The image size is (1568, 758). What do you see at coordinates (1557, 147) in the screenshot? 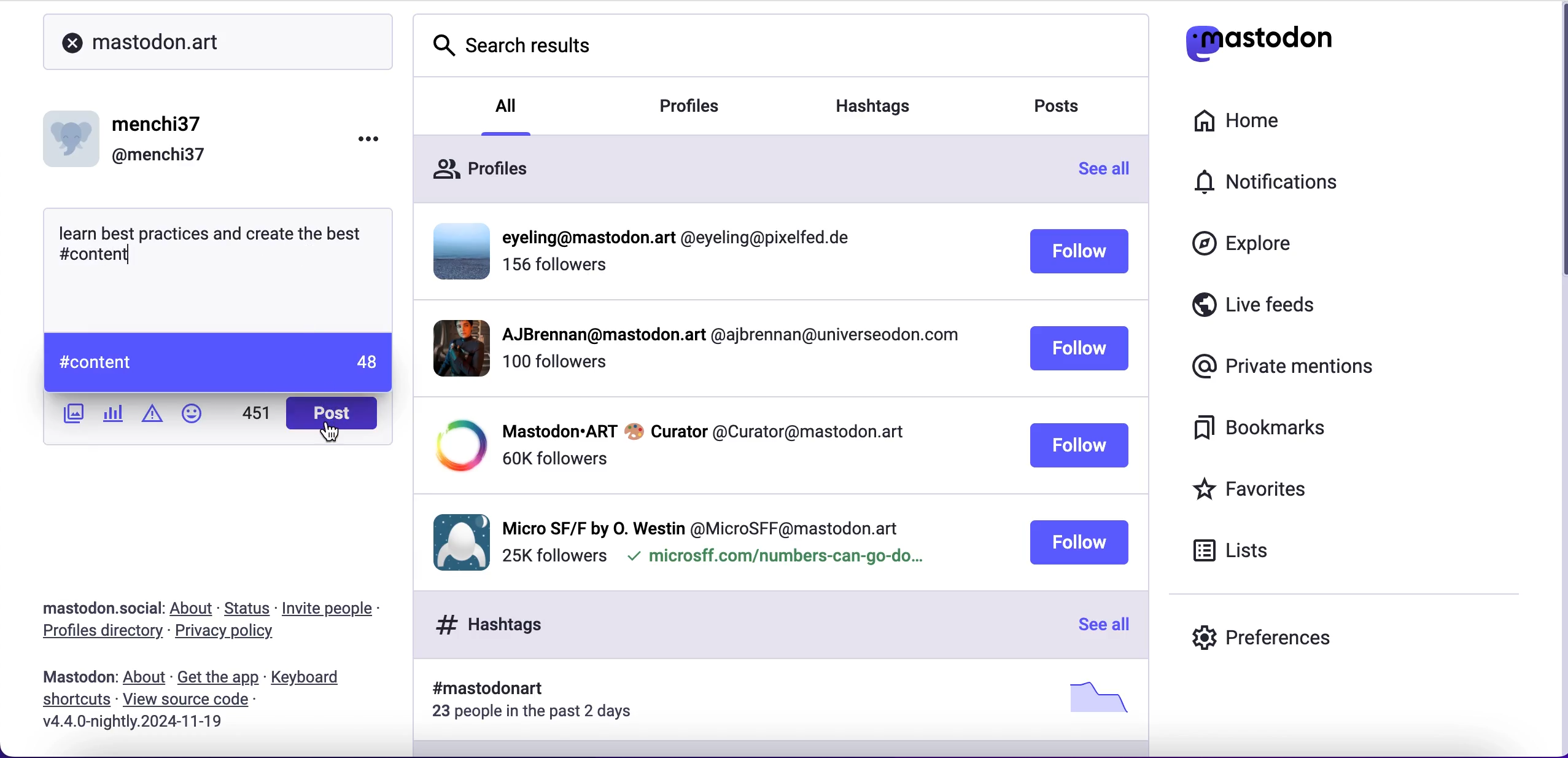
I see `scroll bar` at bounding box center [1557, 147].